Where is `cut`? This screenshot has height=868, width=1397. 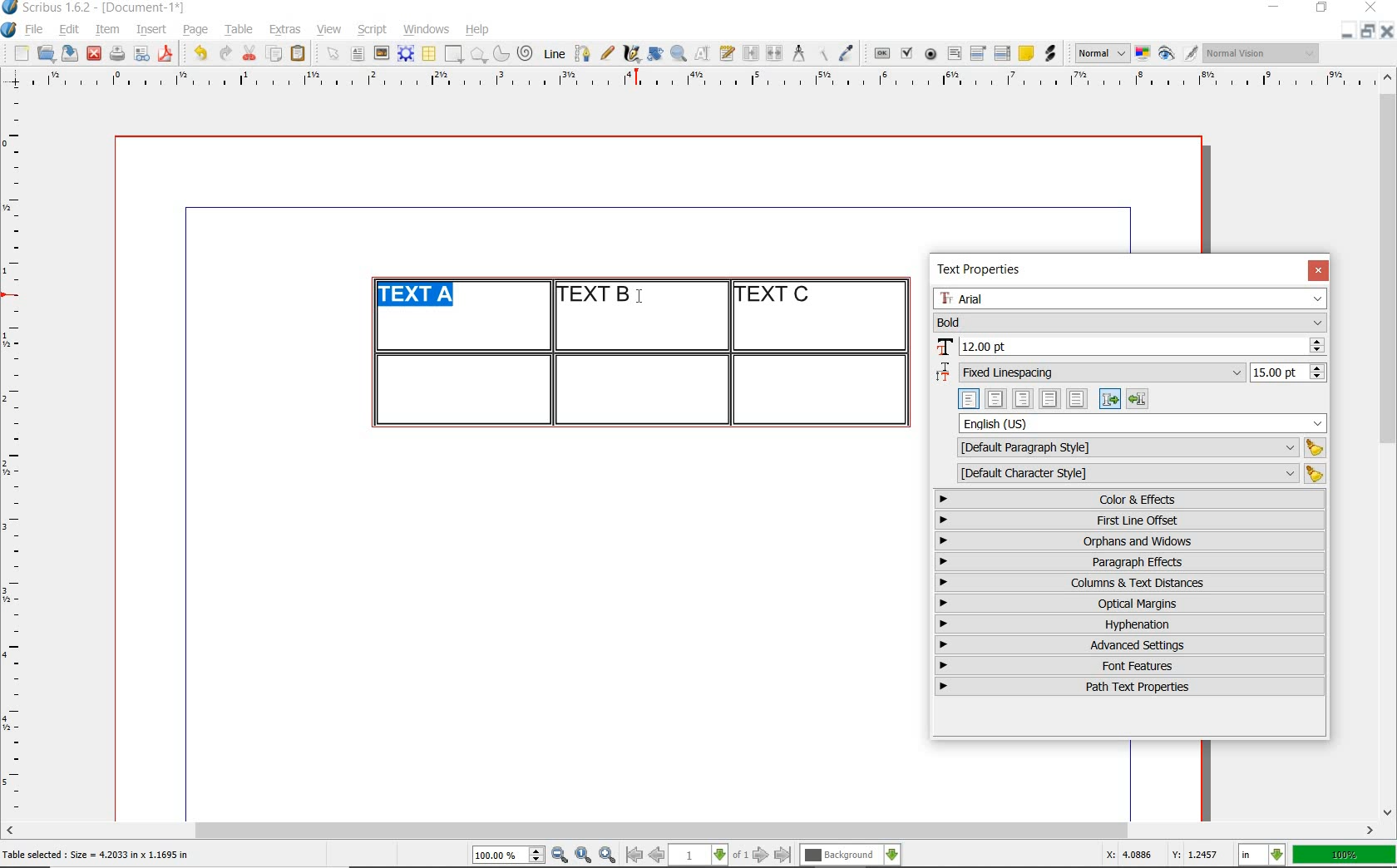 cut is located at coordinates (249, 52).